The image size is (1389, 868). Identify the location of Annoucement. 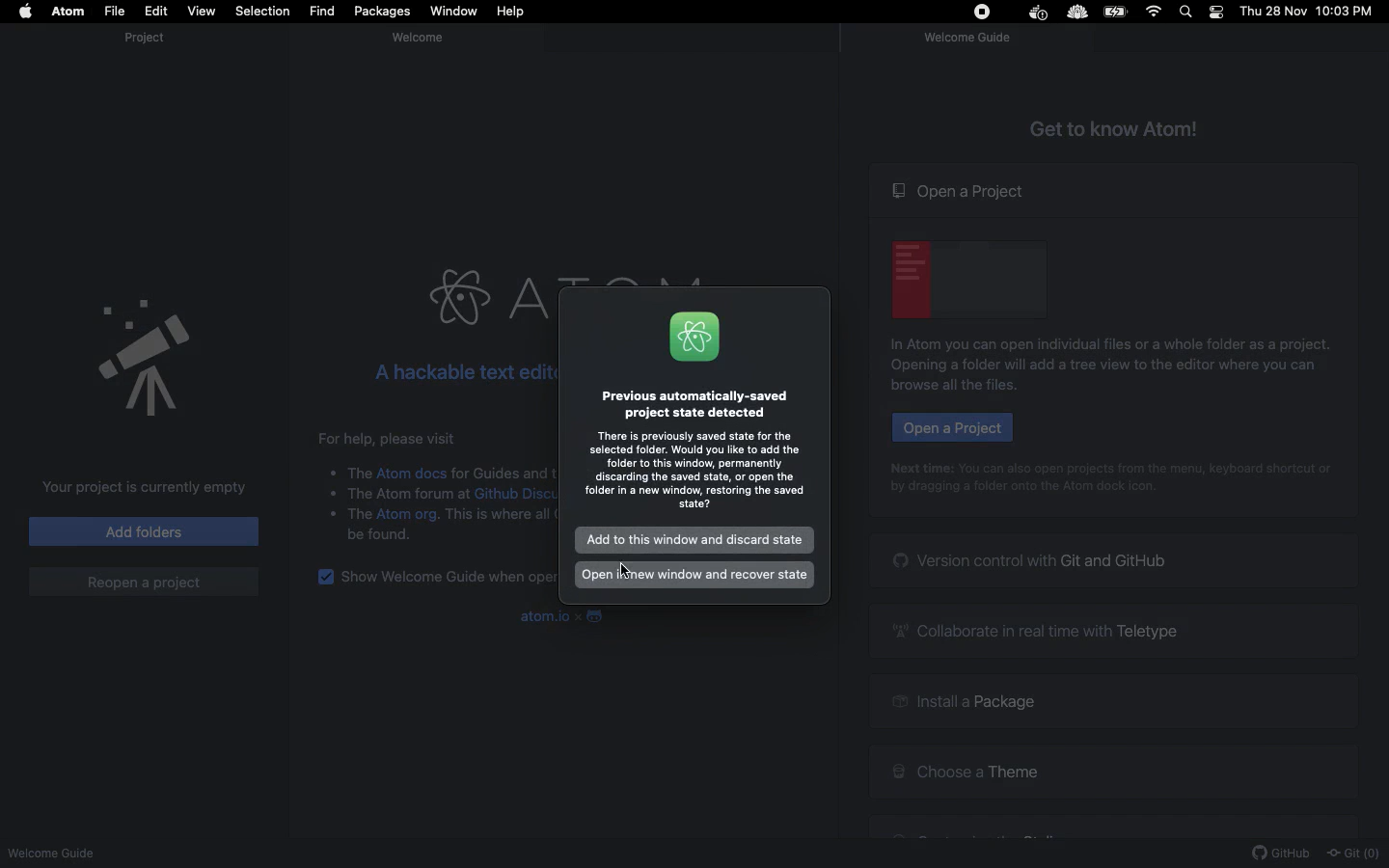
(125, 352).